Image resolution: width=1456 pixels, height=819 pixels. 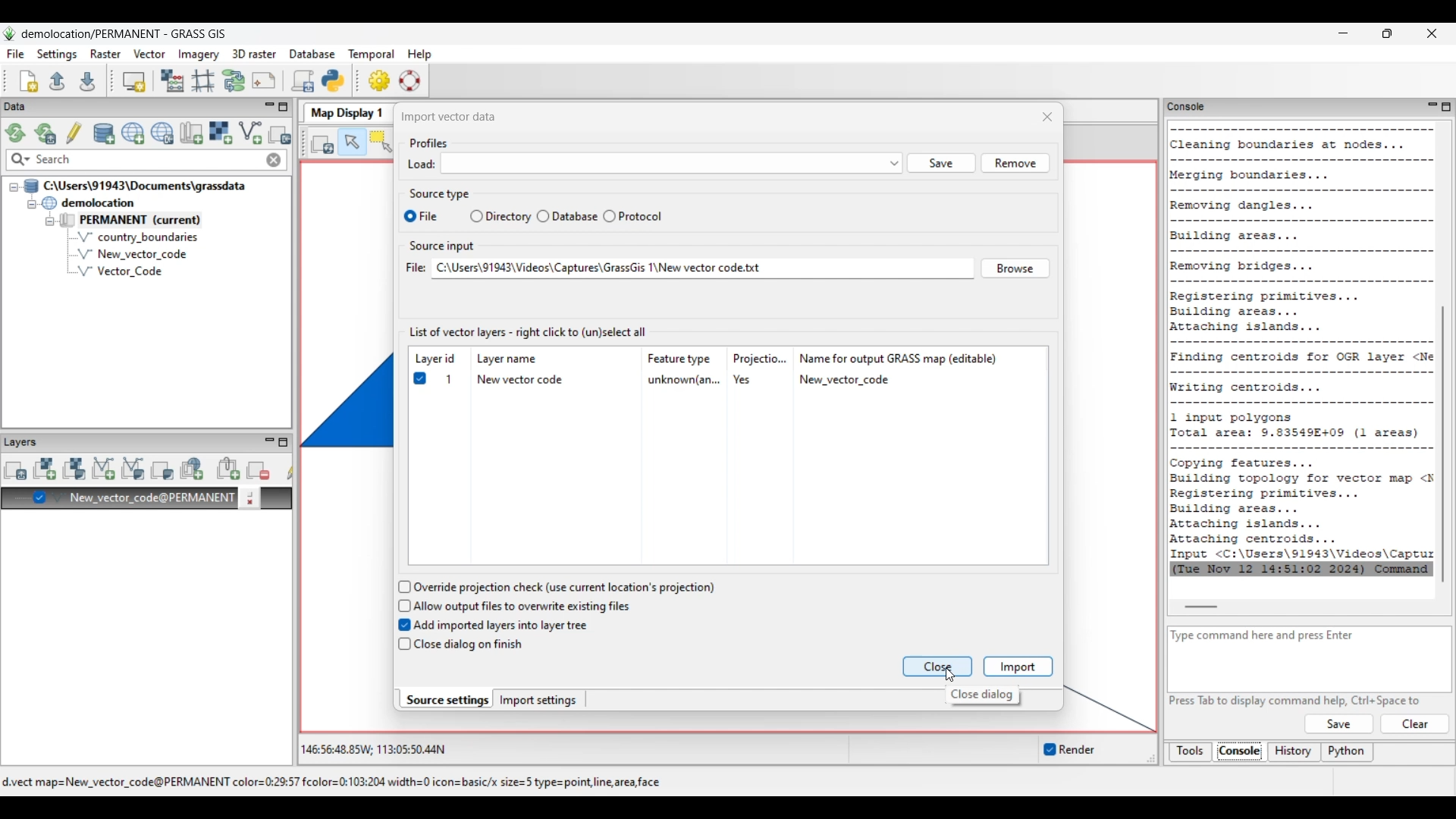 What do you see at coordinates (524, 606) in the screenshot?
I see `Allow output files to overwrite existing files` at bounding box center [524, 606].